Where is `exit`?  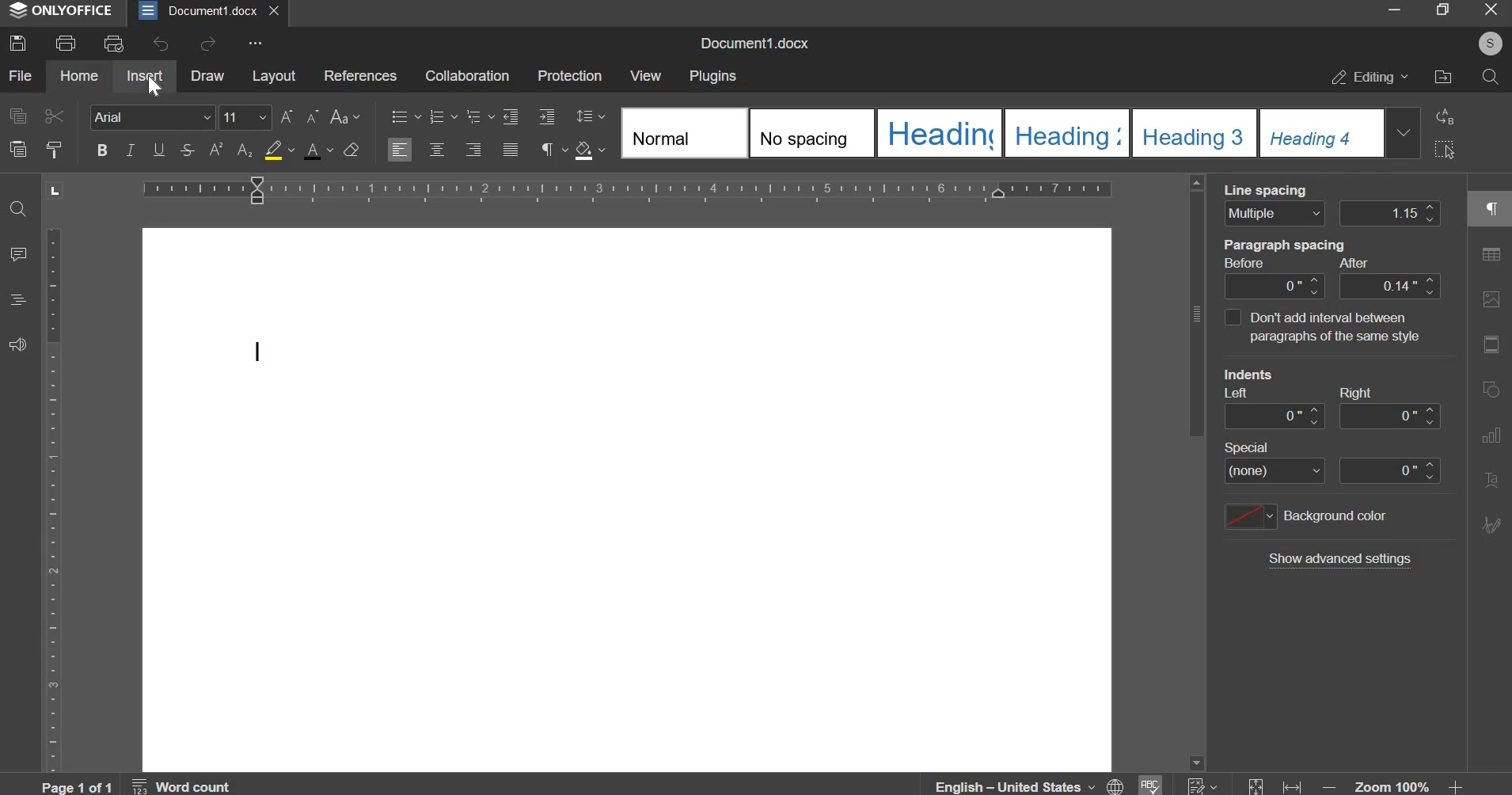 exit is located at coordinates (1490, 9).